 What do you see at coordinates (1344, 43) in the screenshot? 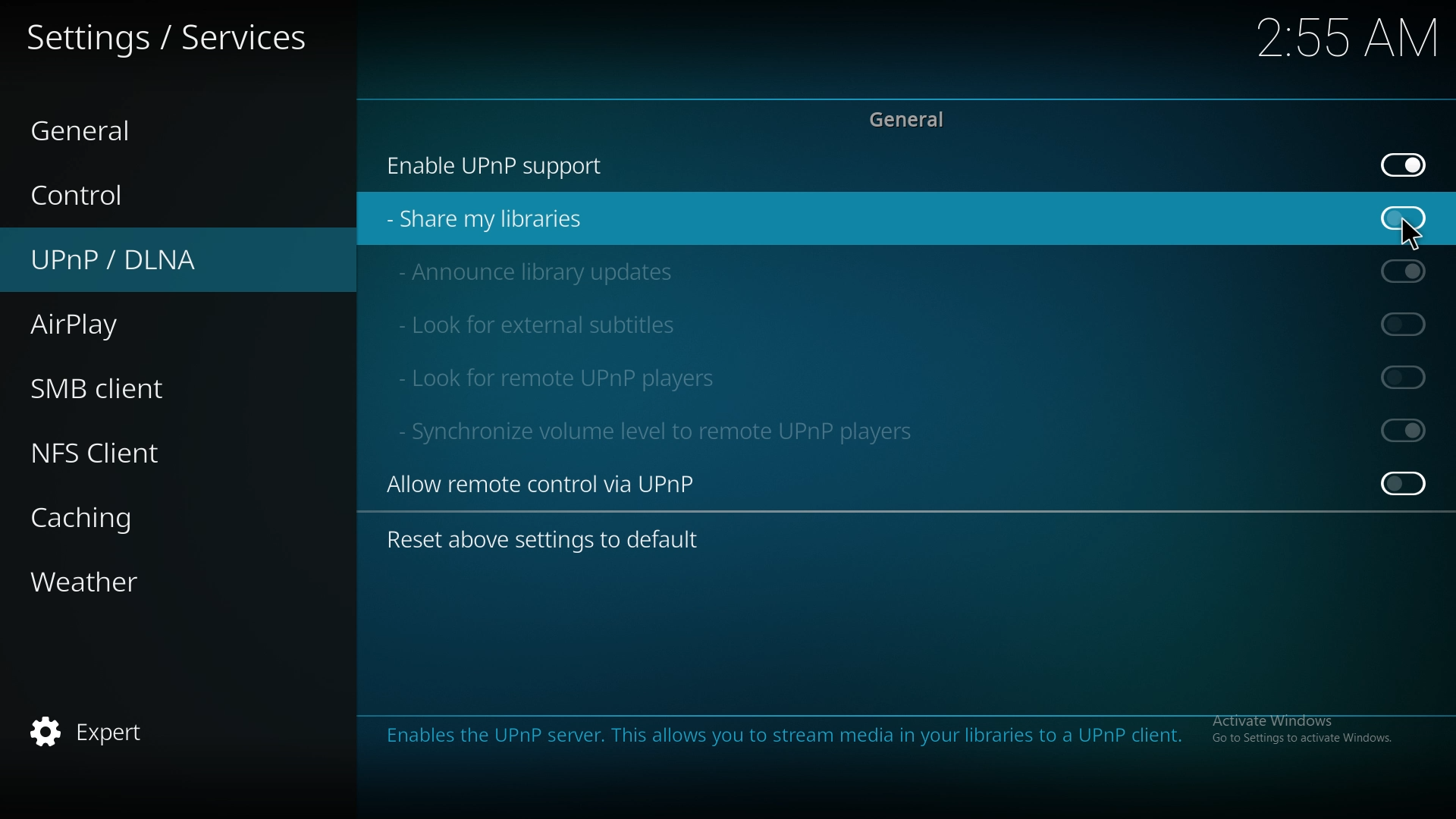
I see `2:54 AM` at bounding box center [1344, 43].